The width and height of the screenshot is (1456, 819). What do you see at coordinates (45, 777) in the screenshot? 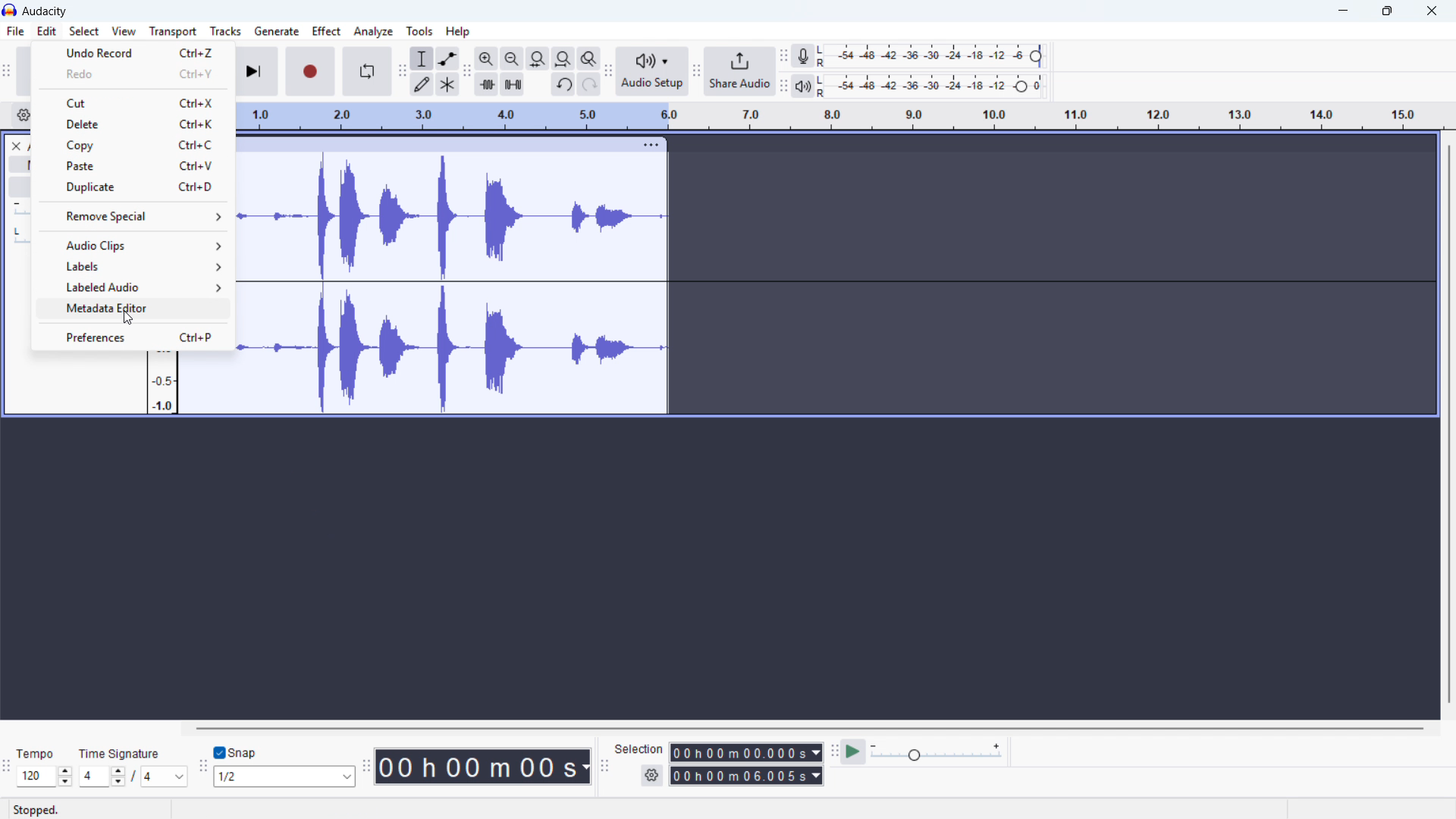
I see `set tempo` at bounding box center [45, 777].